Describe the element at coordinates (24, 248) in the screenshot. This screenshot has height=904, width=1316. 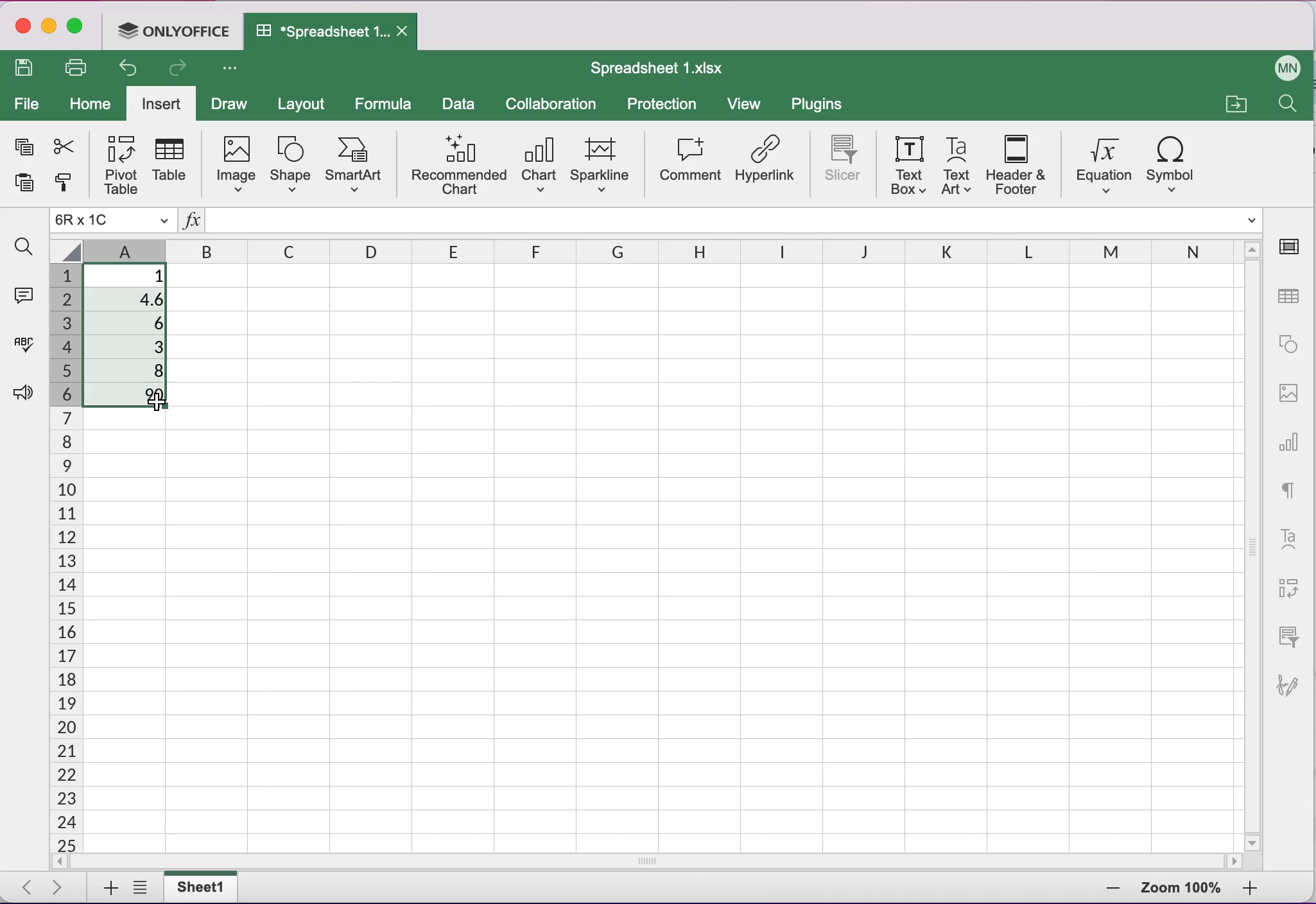
I see `find` at that location.